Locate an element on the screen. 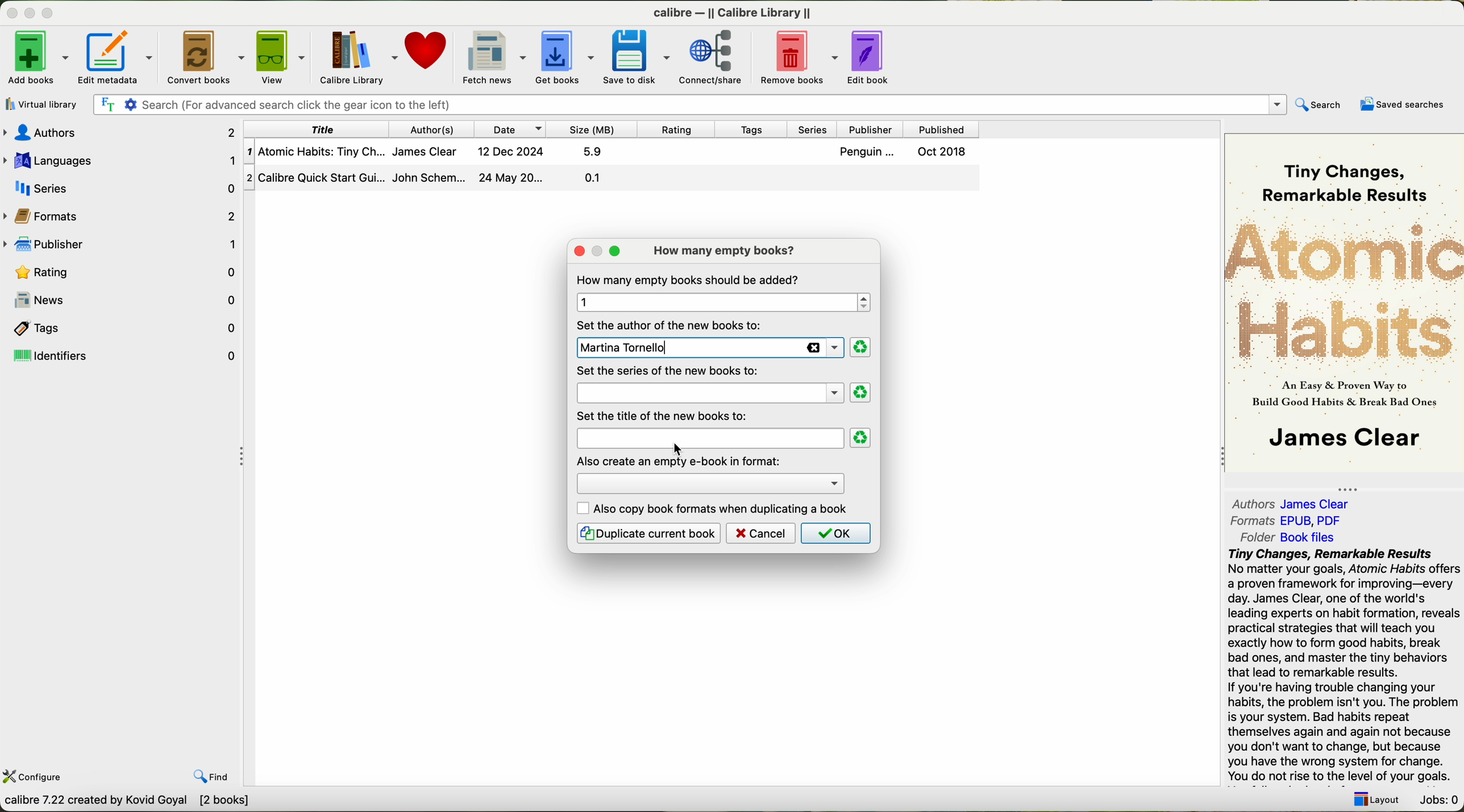 Image resolution: width=1464 pixels, height=812 pixels. Calibre Calibre library is located at coordinates (737, 10).